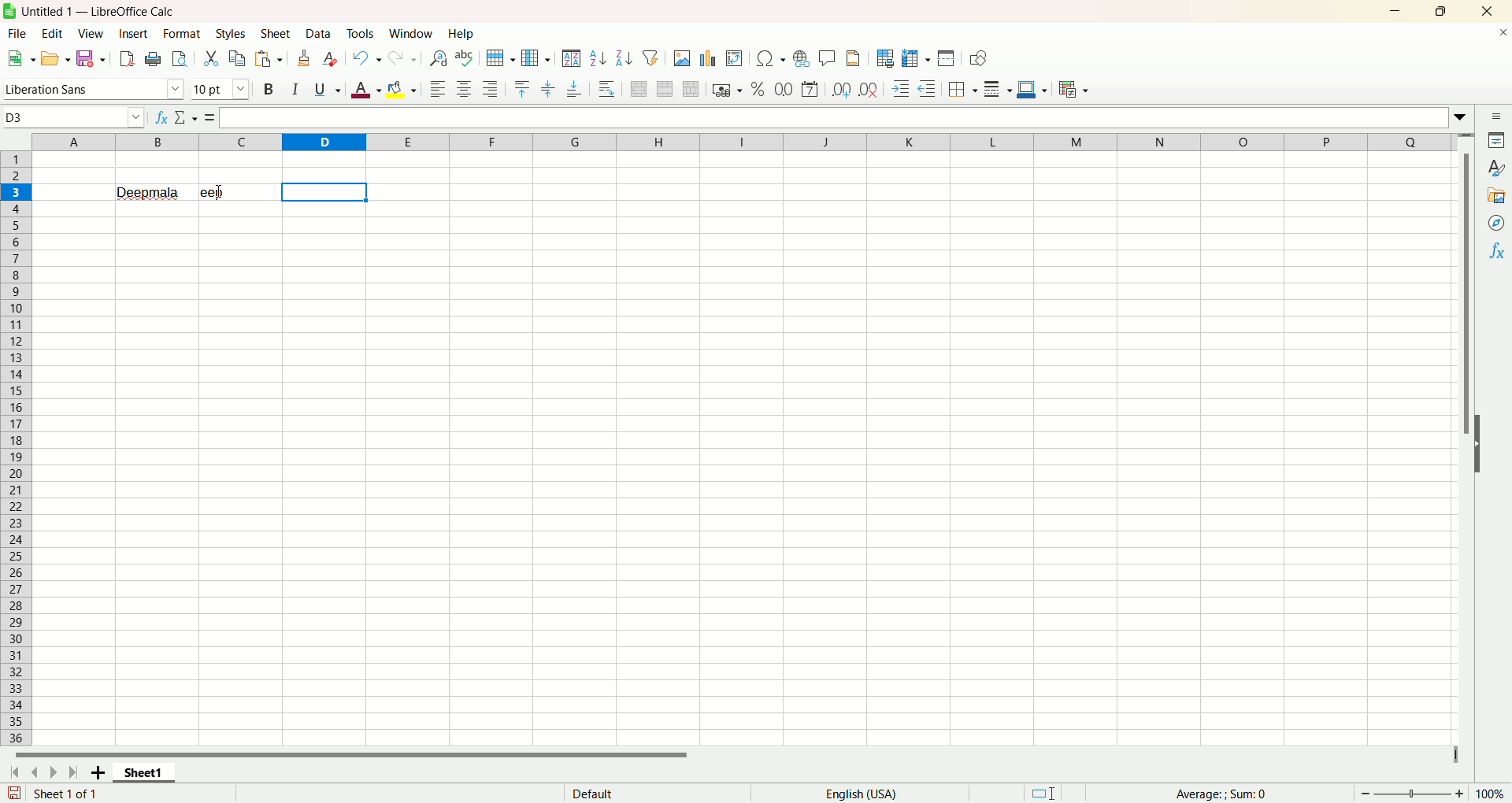 The image size is (1512, 803). I want to click on spell check, so click(464, 58).